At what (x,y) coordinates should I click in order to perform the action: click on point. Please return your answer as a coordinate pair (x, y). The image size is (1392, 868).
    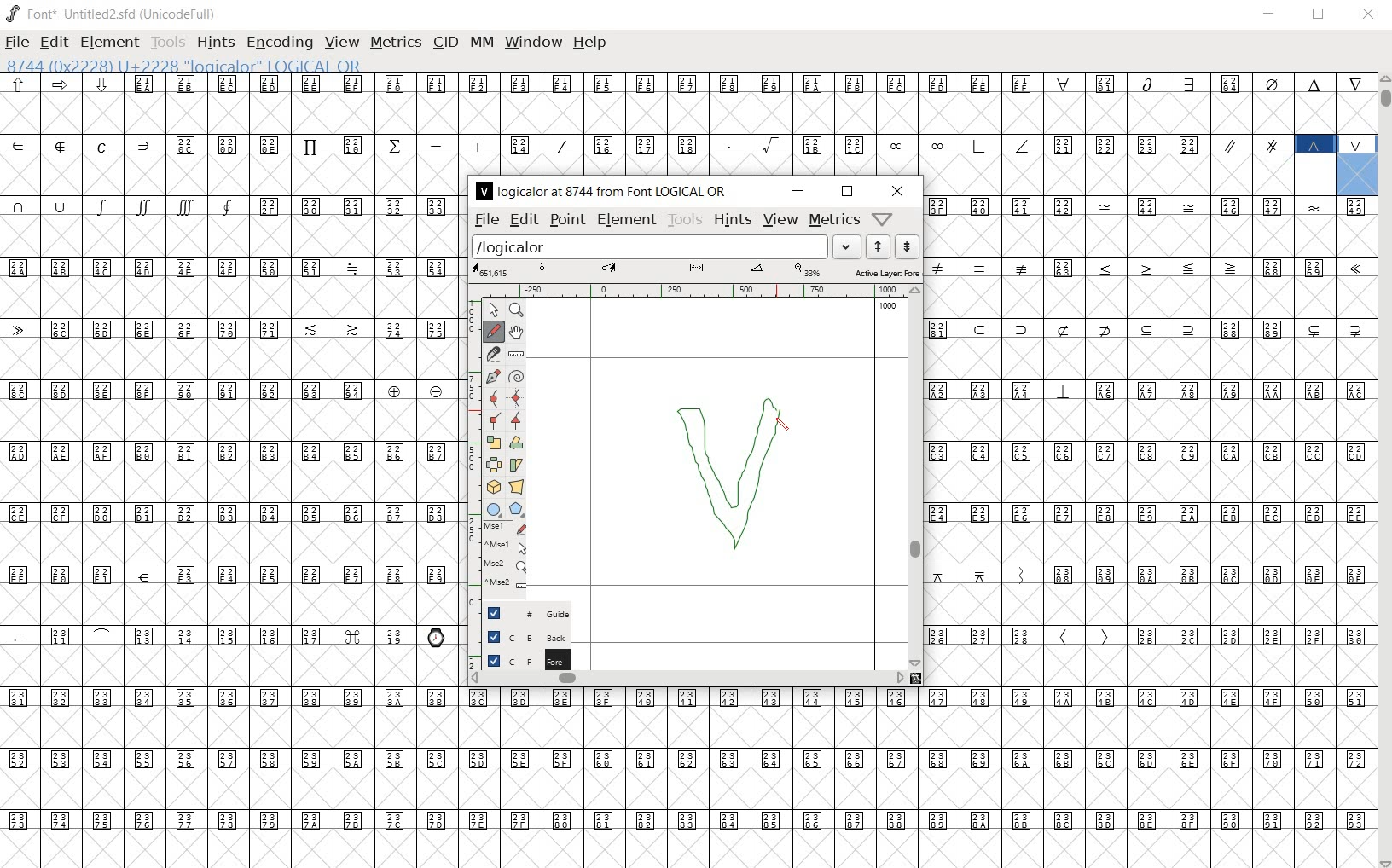
    Looking at the image, I should click on (566, 220).